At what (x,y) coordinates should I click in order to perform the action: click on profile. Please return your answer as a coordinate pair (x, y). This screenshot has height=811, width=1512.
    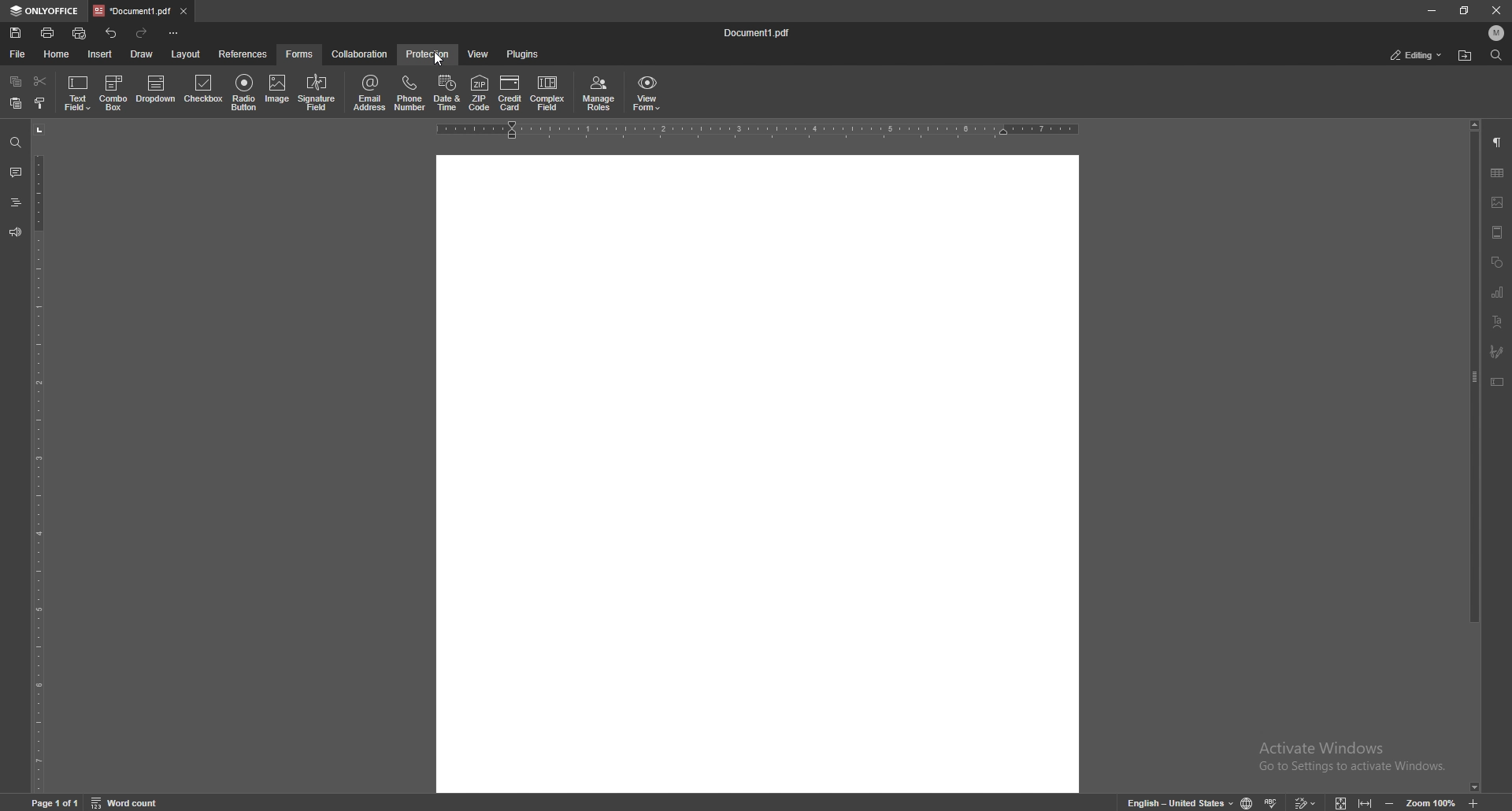
    Looking at the image, I should click on (1497, 33).